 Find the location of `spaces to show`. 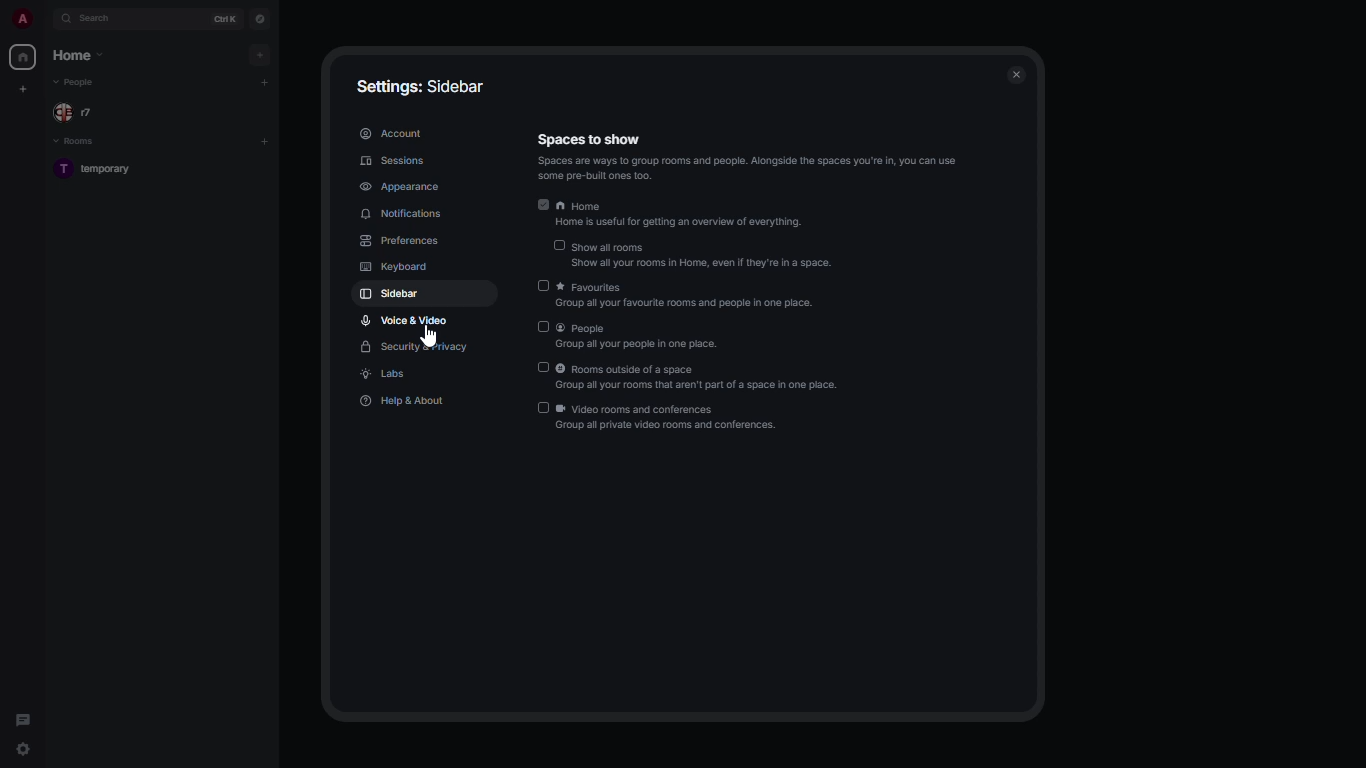

spaces to show is located at coordinates (748, 157).